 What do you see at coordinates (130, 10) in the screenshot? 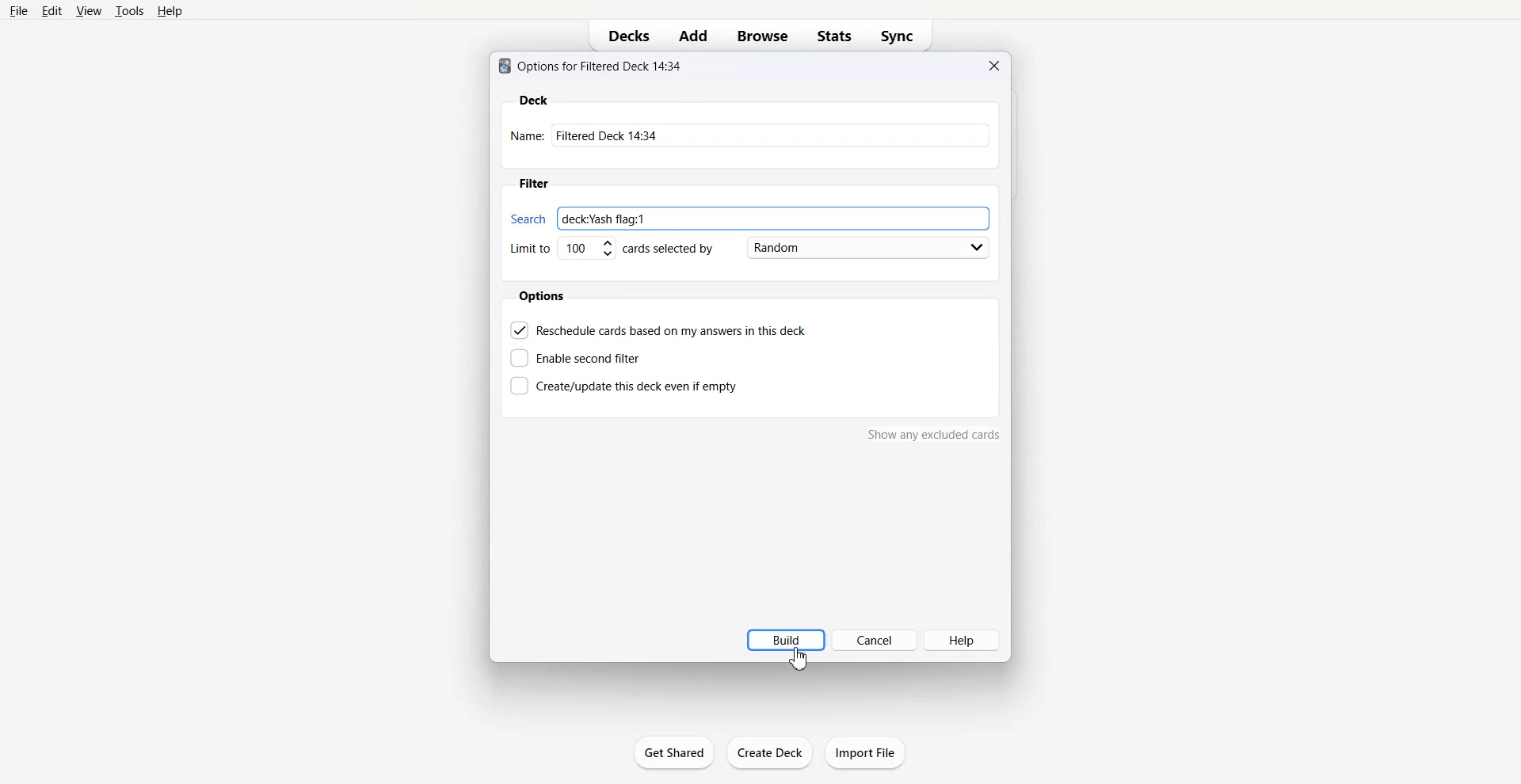
I see `Tools` at bounding box center [130, 10].